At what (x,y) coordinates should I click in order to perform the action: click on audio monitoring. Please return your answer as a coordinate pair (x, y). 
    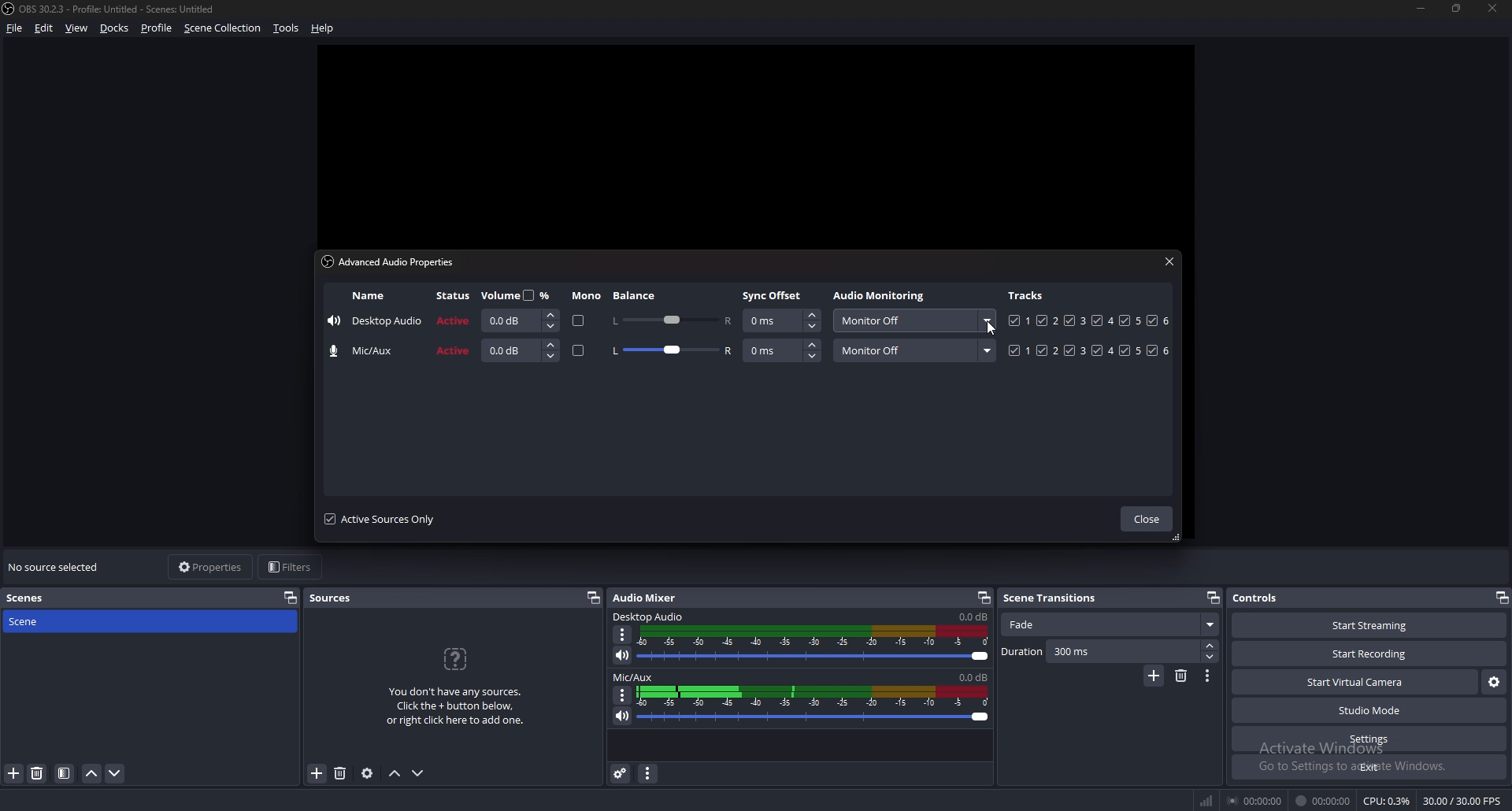
    Looking at the image, I should click on (882, 297).